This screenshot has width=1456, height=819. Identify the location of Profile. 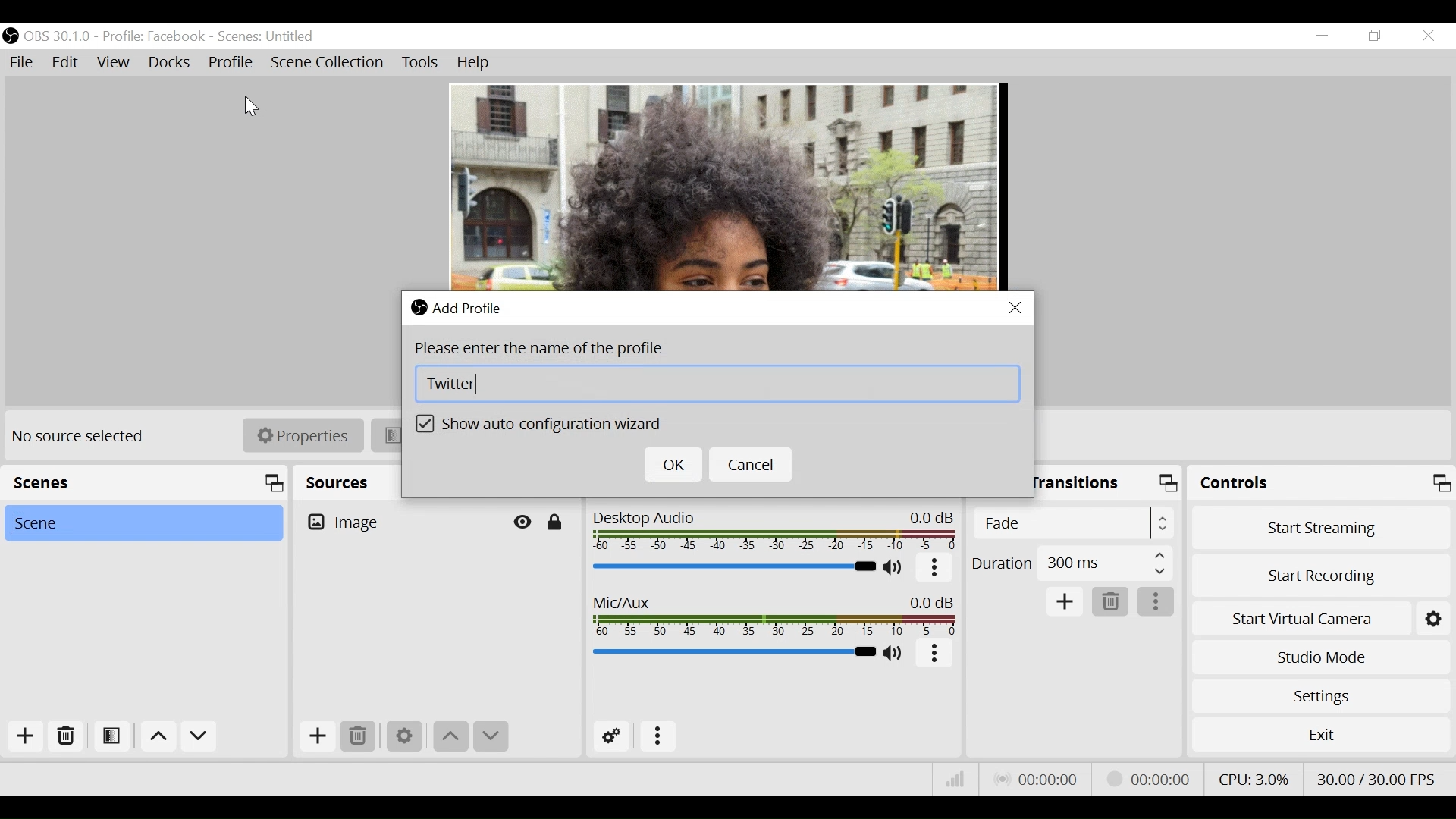
(231, 61).